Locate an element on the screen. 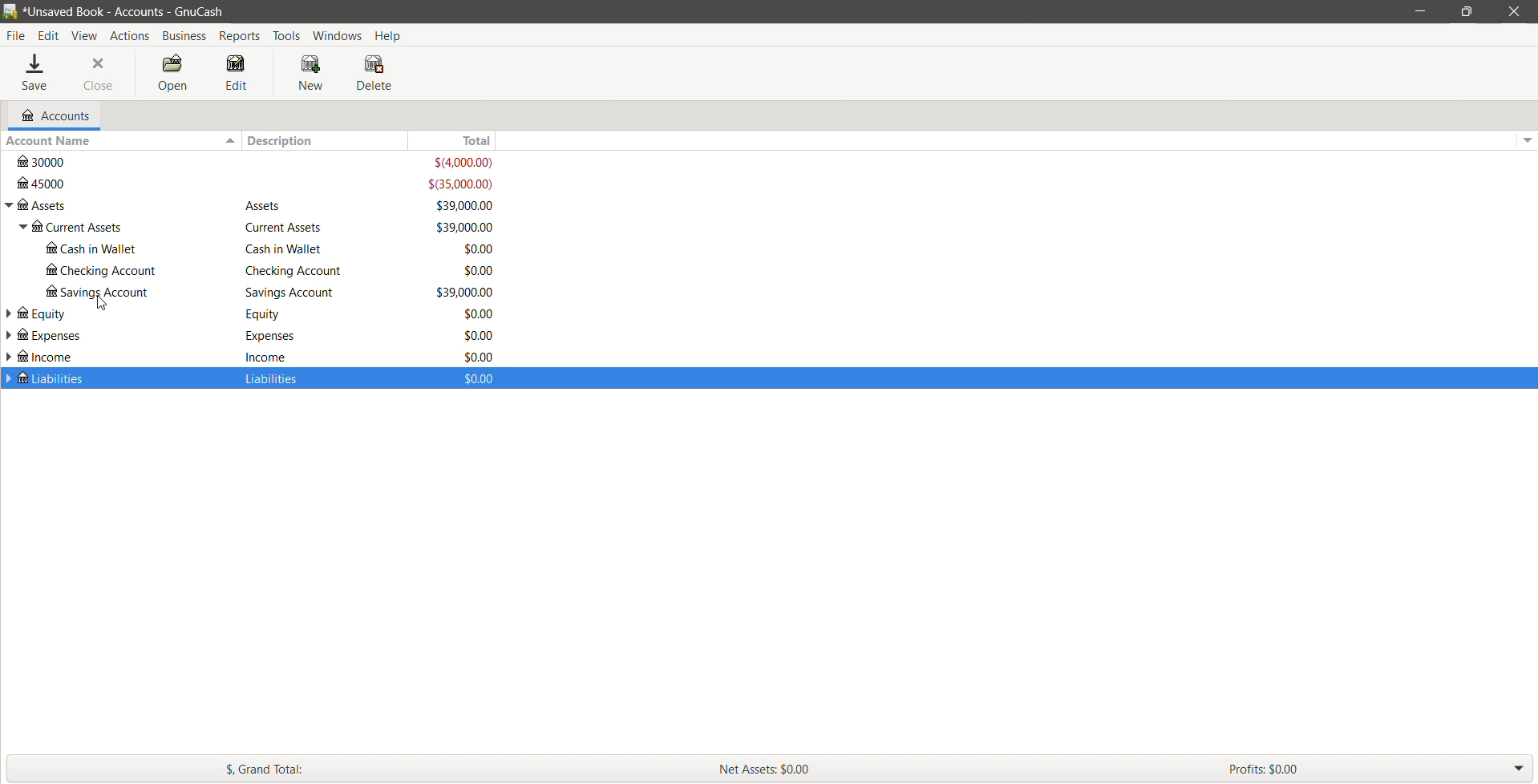 The image size is (1538, 784). Tools is located at coordinates (288, 35).